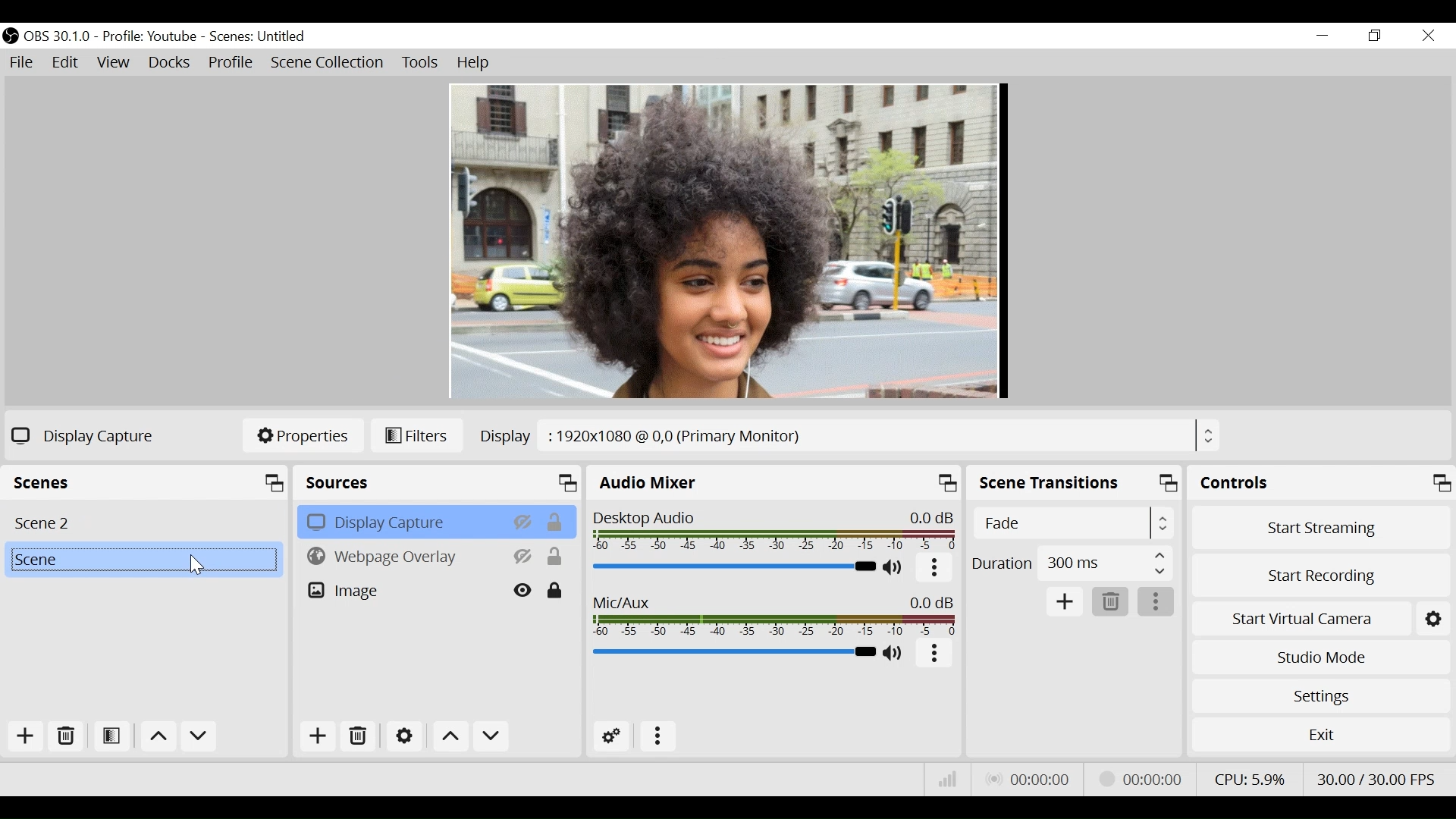  Describe the element at coordinates (1318, 657) in the screenshot. I see `Studio Mode` at that location.